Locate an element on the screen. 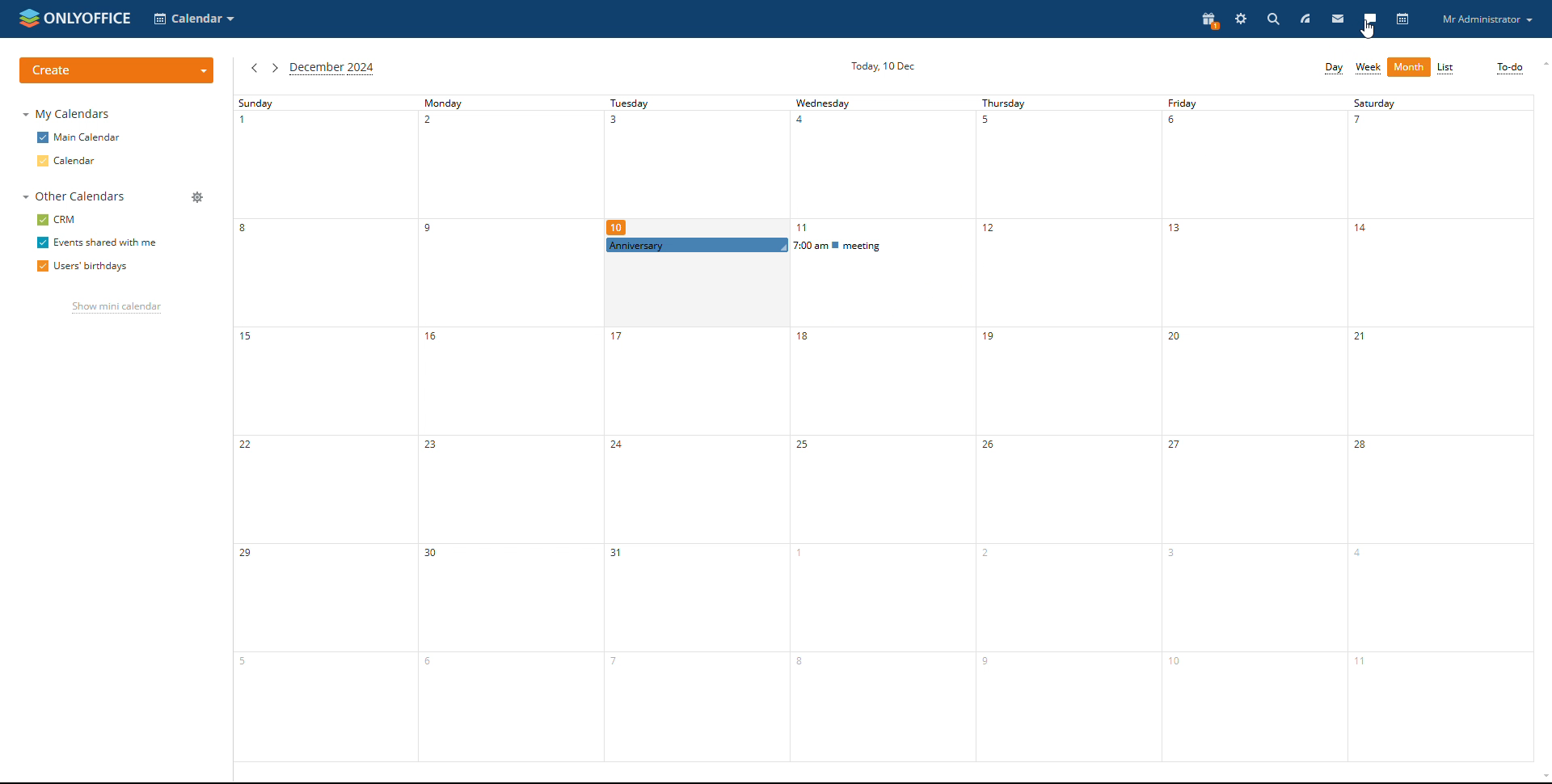  day view is located at coordinates (1334, 69).